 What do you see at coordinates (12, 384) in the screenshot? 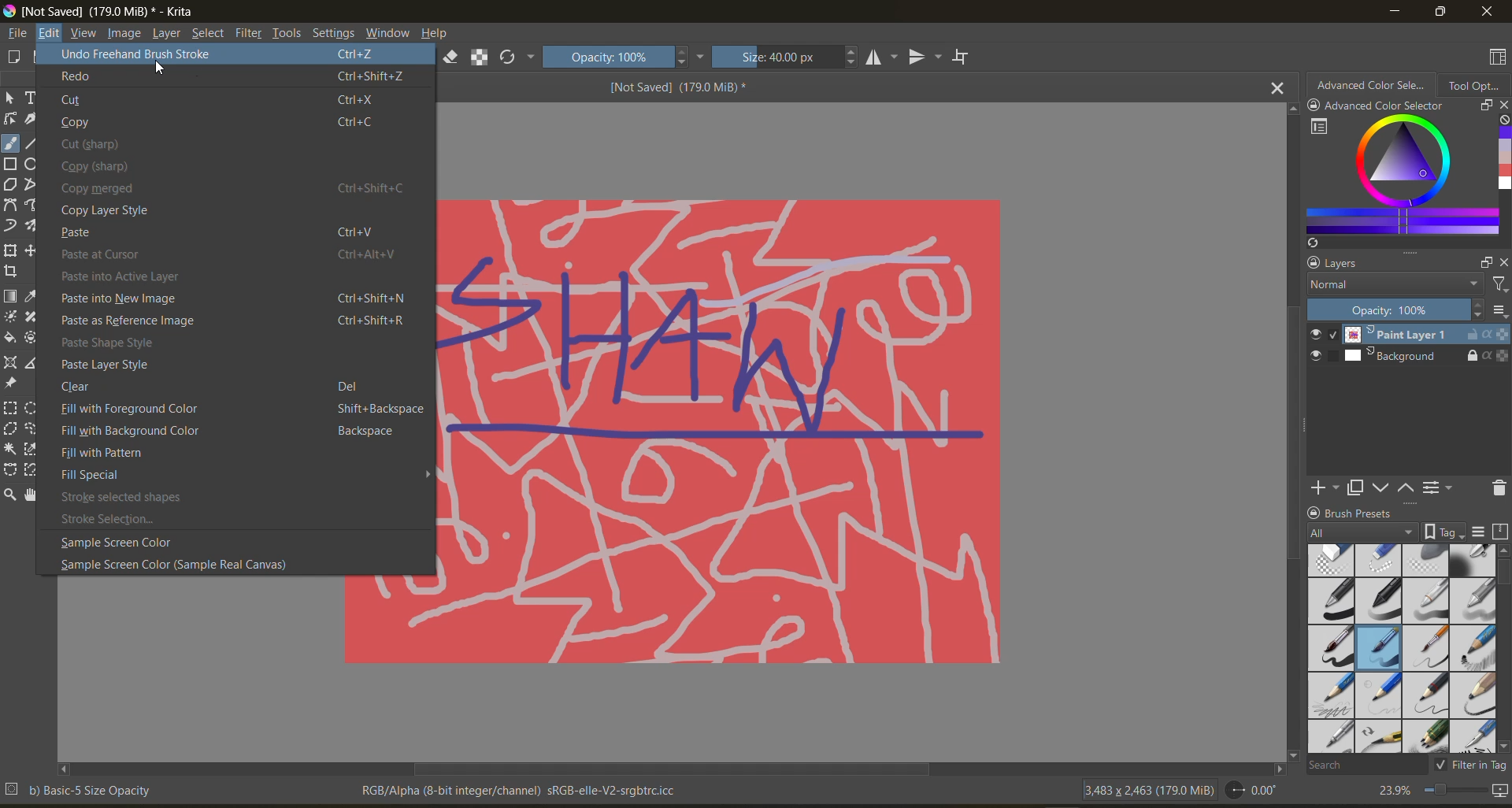
I see `Reference image tool` at bounding box center [12, 384].